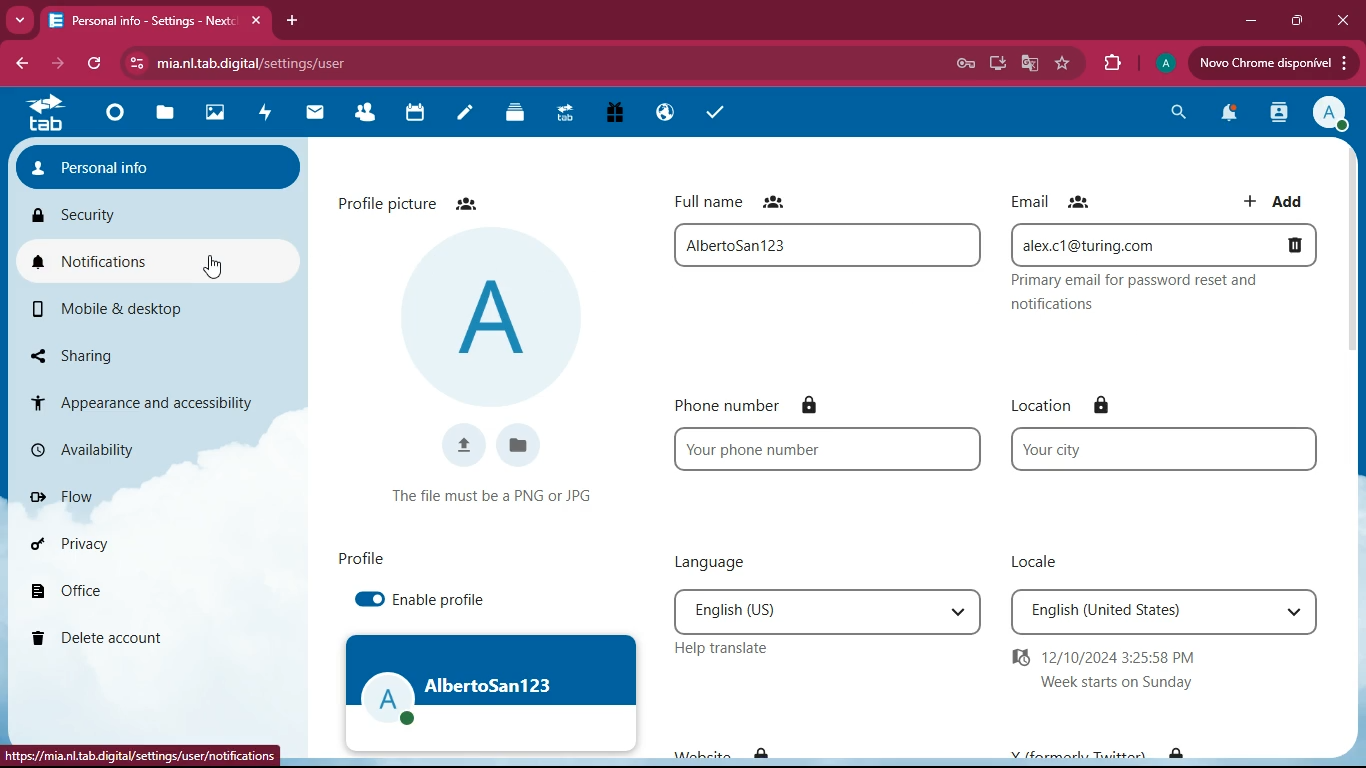  Describe the element at coordinates (130, 542) in the screenshot. I see `privacy` at that location.